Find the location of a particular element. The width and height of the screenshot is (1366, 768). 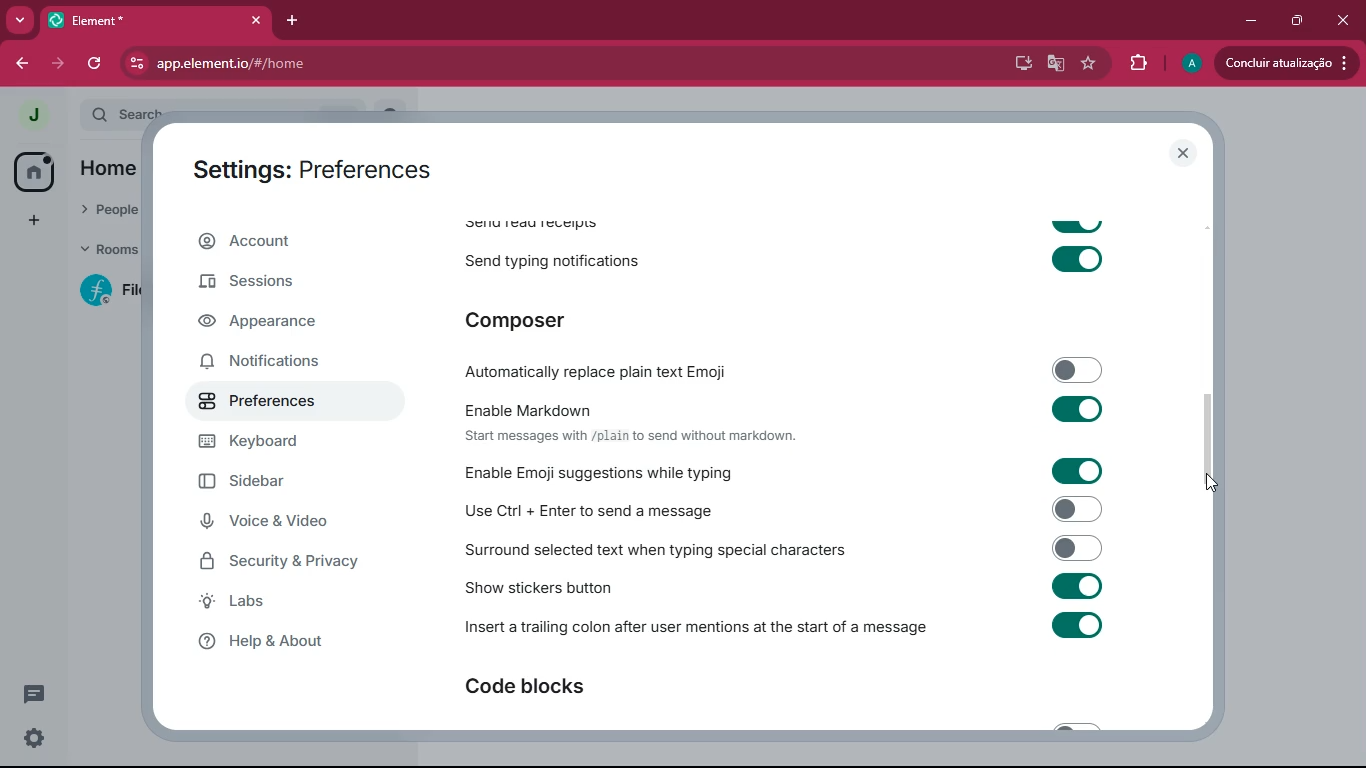

notifications is located at coordinates (277, 359).